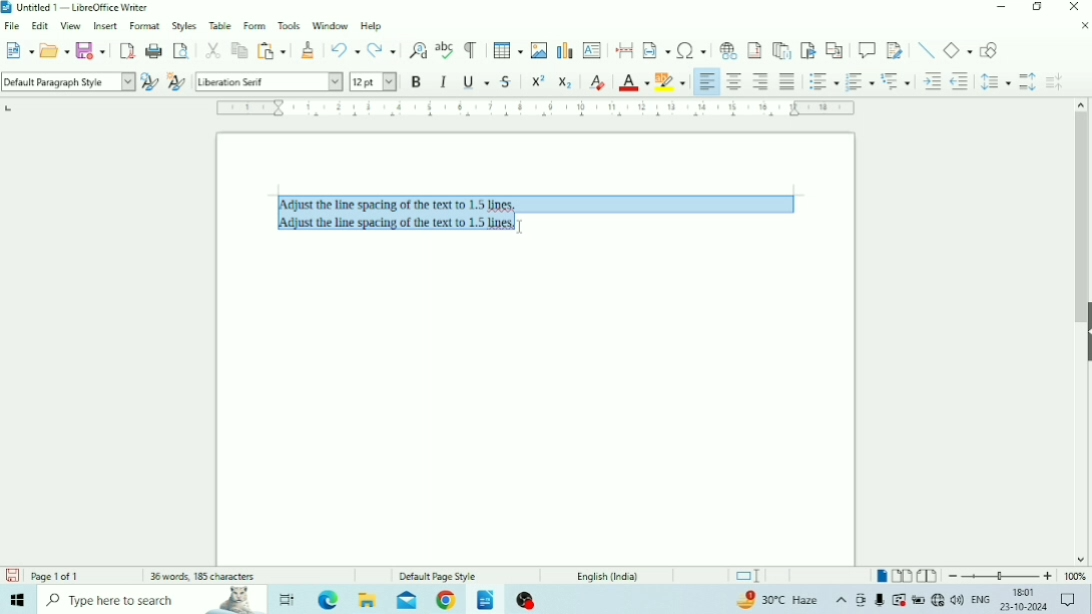 Image resolution: width=1092 pixels, height=614 pixels. Describe the element at coordinates (957, 600) in the screenshot. I see `Speakers` at that location.